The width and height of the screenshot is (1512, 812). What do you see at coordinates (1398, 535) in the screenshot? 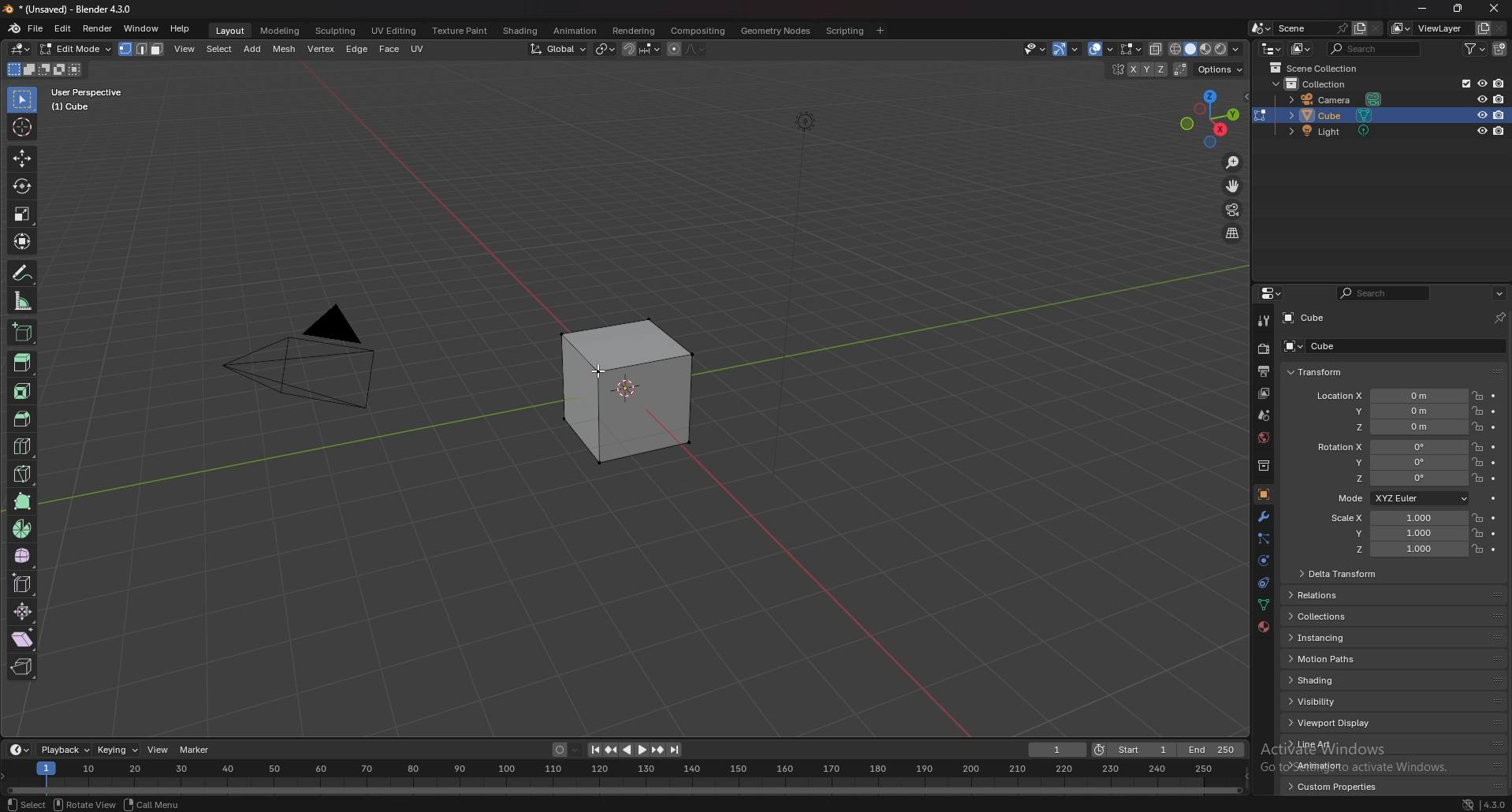
I see `scale y` at bounding box center [1398, 535].